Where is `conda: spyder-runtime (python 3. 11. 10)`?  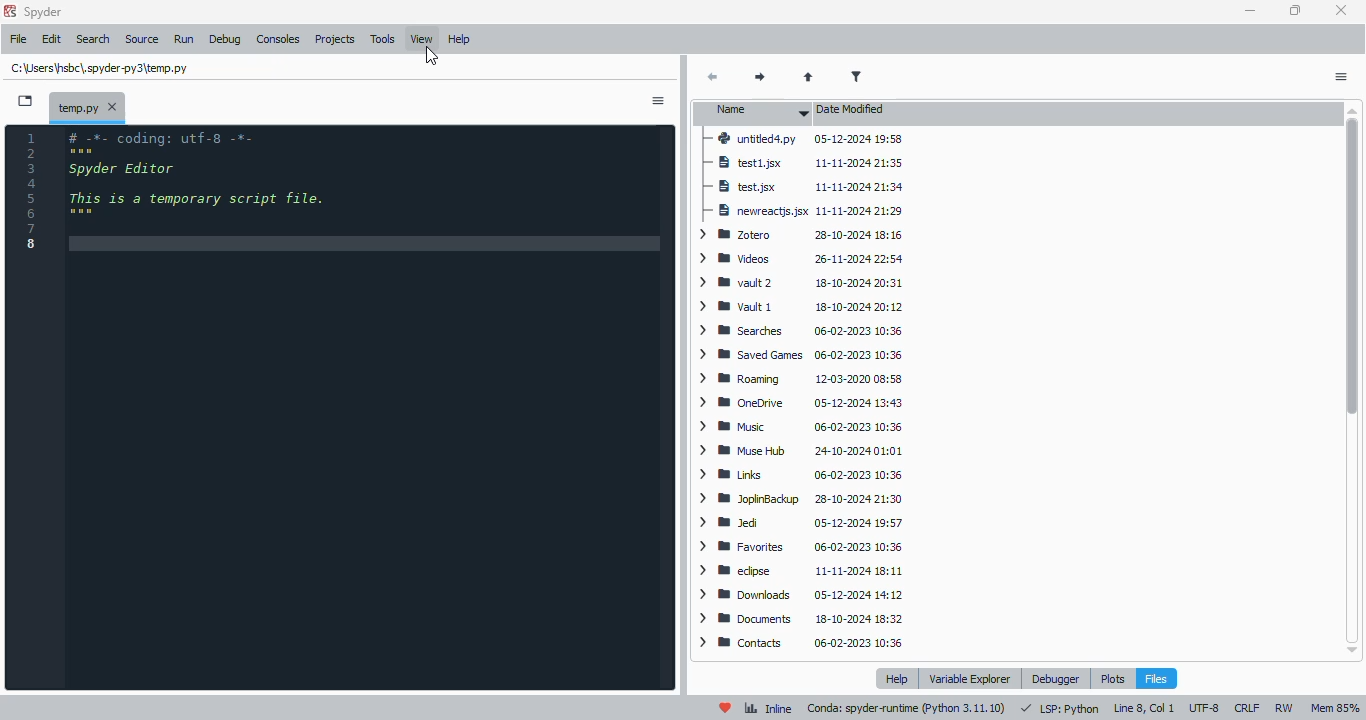 conda: spyder-runtime (python 3. 11. 10) is located at coordinates (907, 709).